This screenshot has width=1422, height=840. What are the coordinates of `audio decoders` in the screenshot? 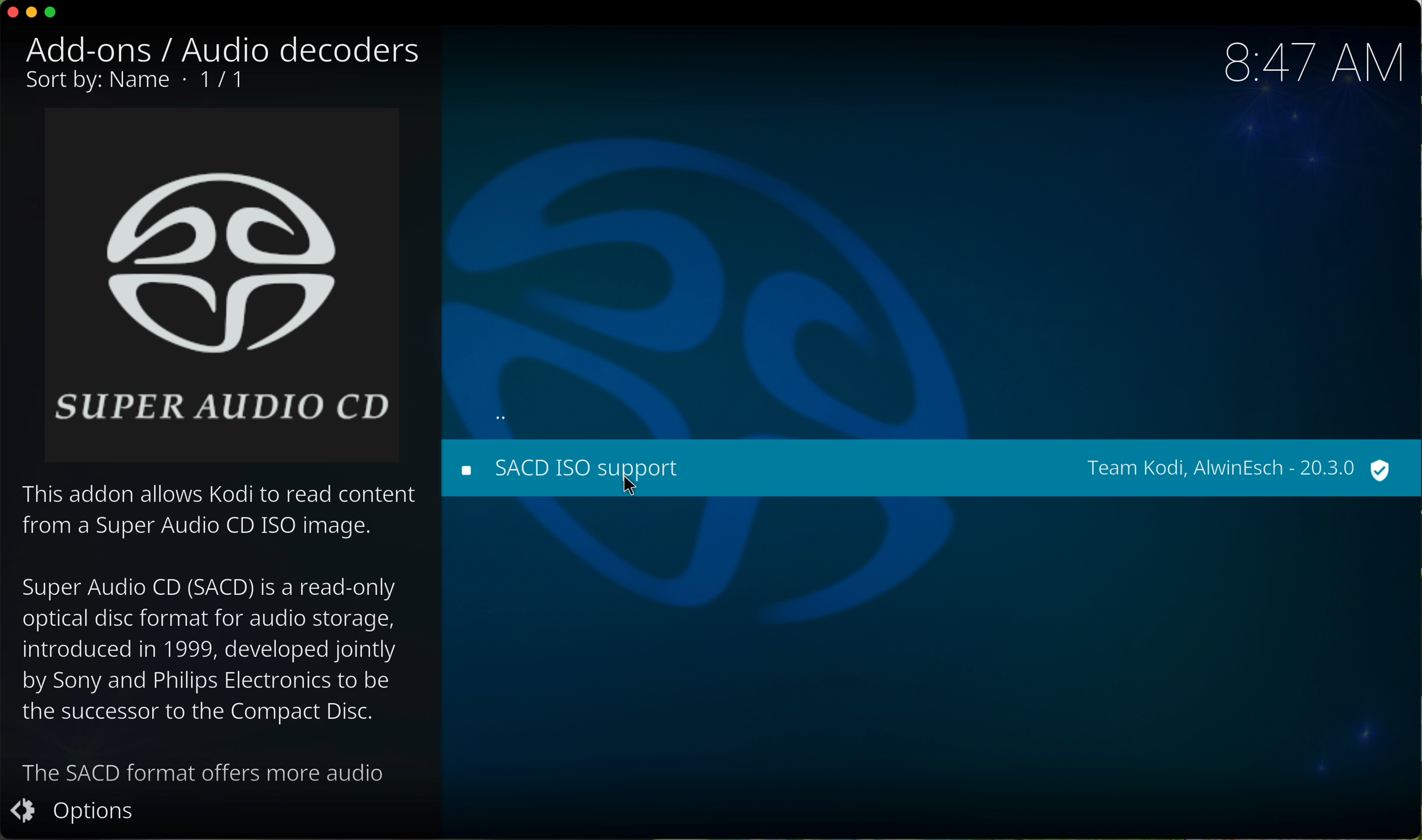 It's located at (230, 48).